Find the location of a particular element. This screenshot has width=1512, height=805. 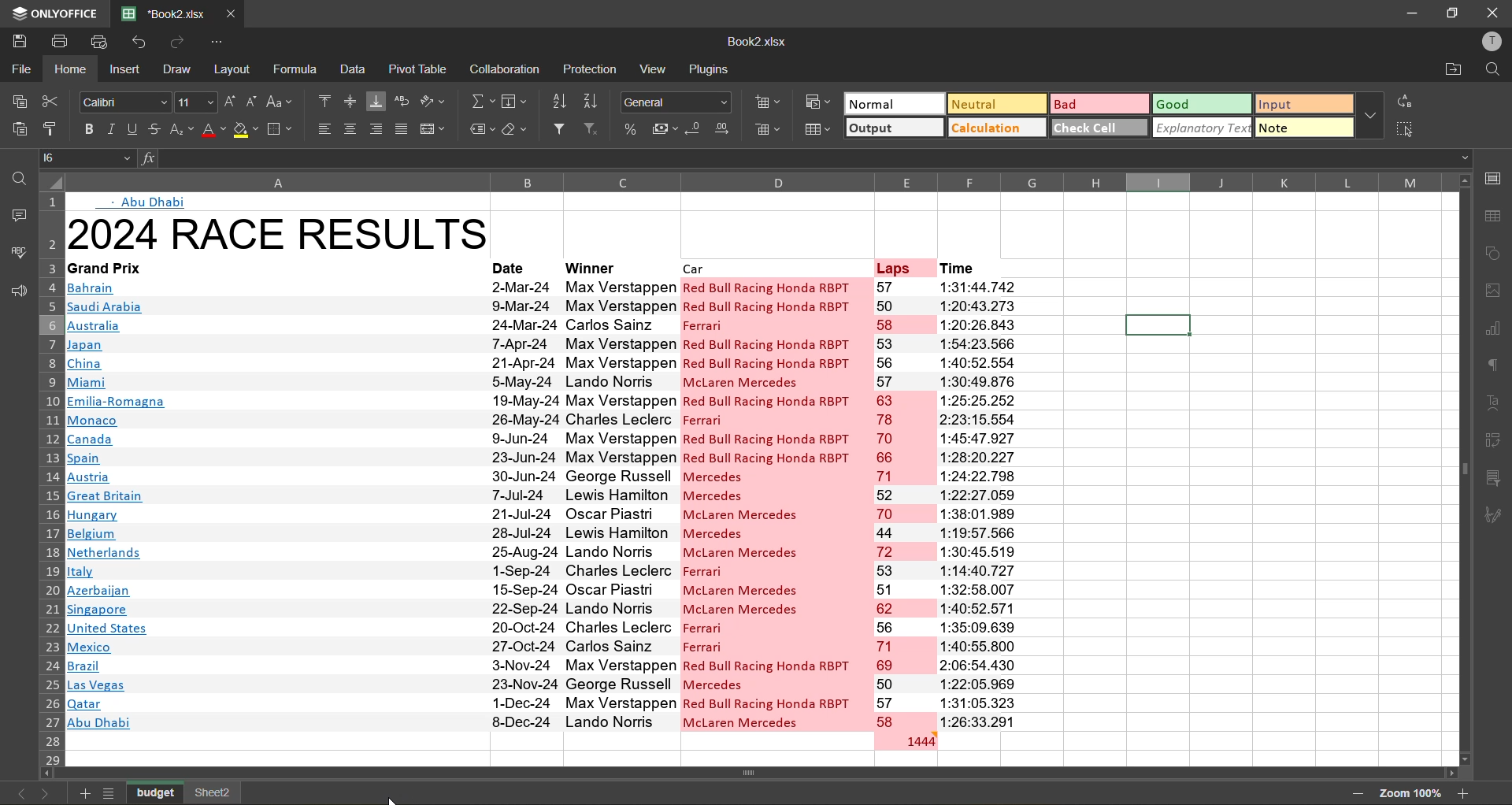

winner name is located at coordinates (621, 502).